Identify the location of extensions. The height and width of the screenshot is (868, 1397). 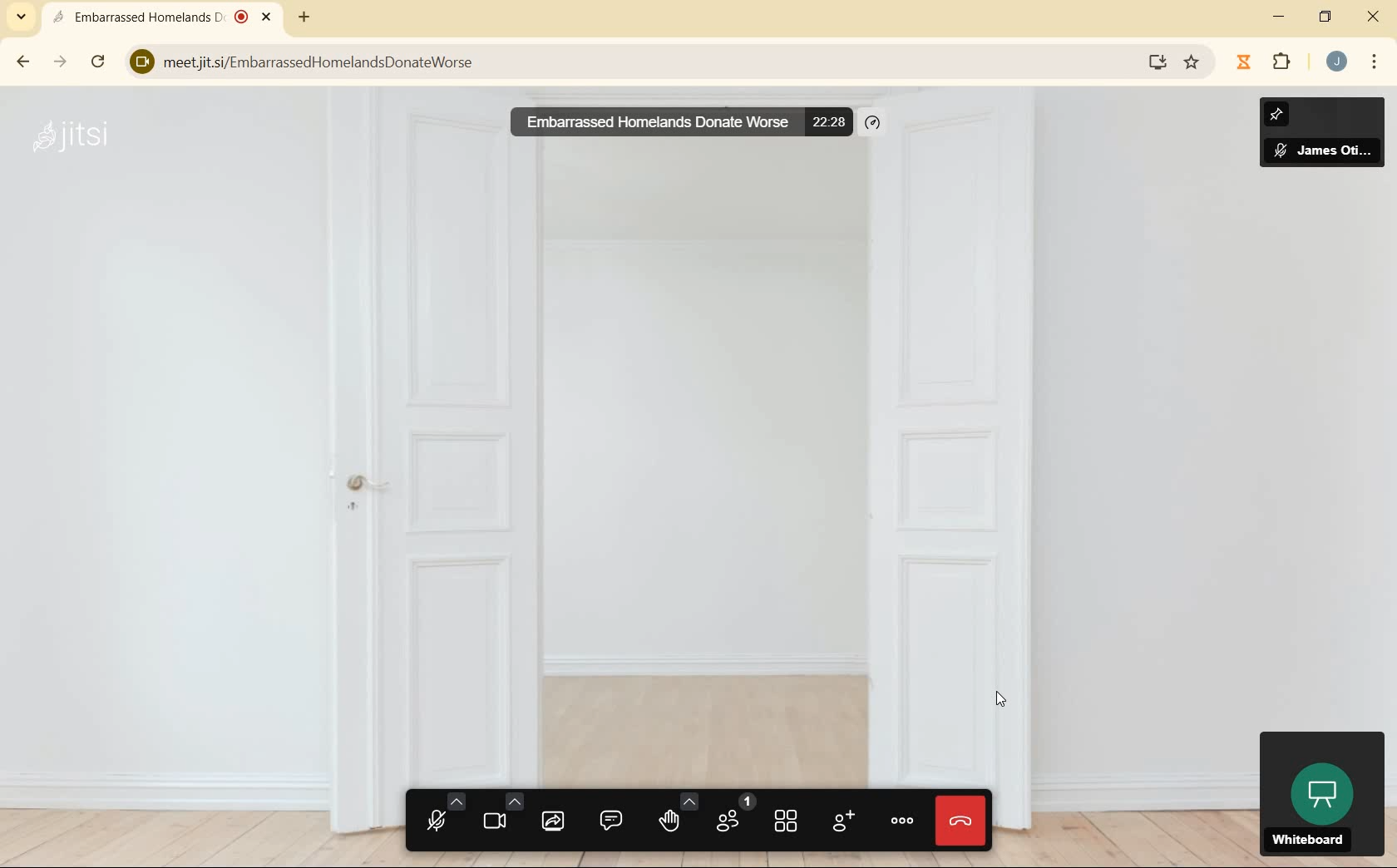
(1265, 62).